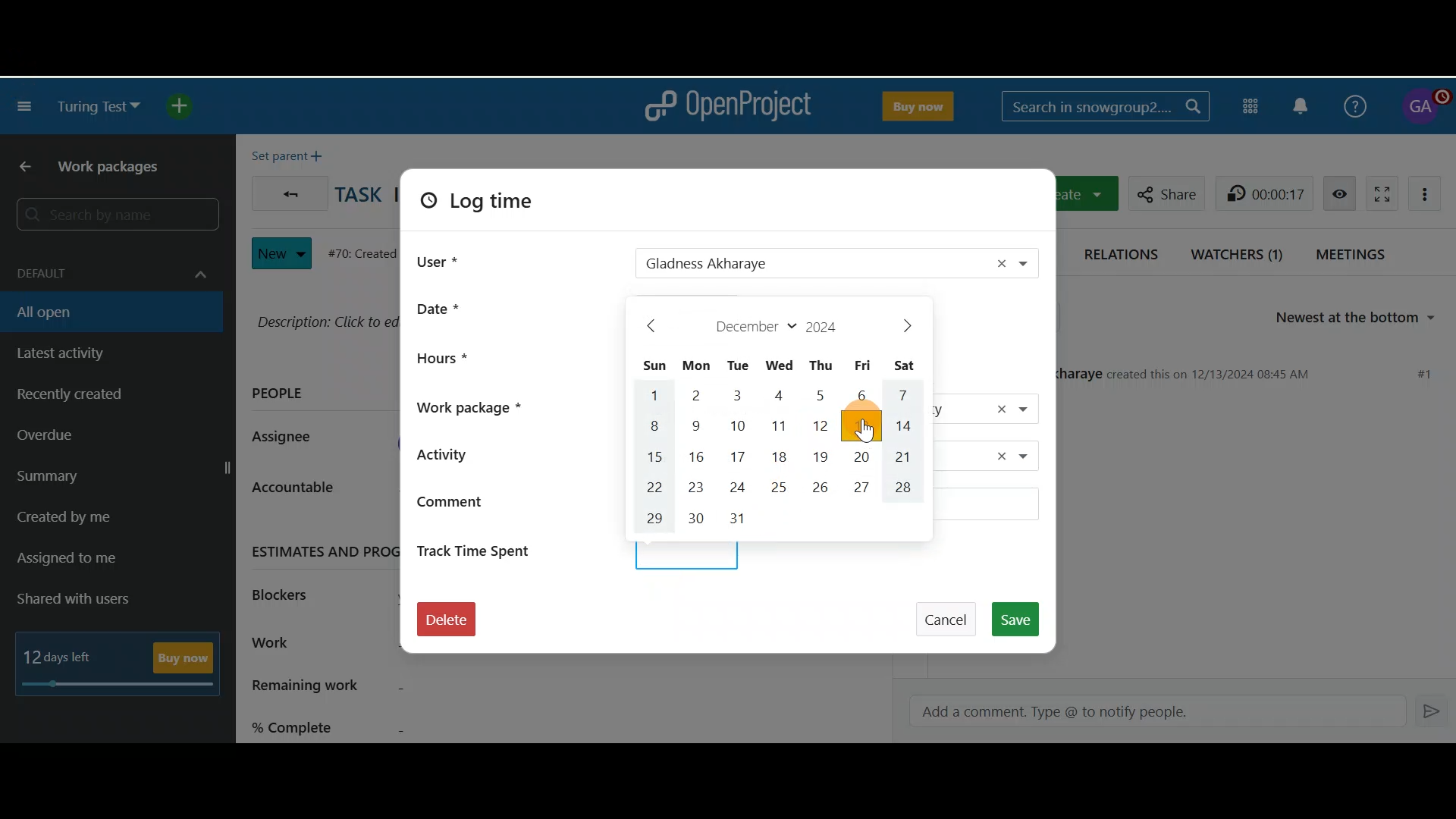 The height and width of the screenshot is (819, 1456). Describe the element at coordinates (1253, 104) in the screenshot. I see `Modules` at that location.